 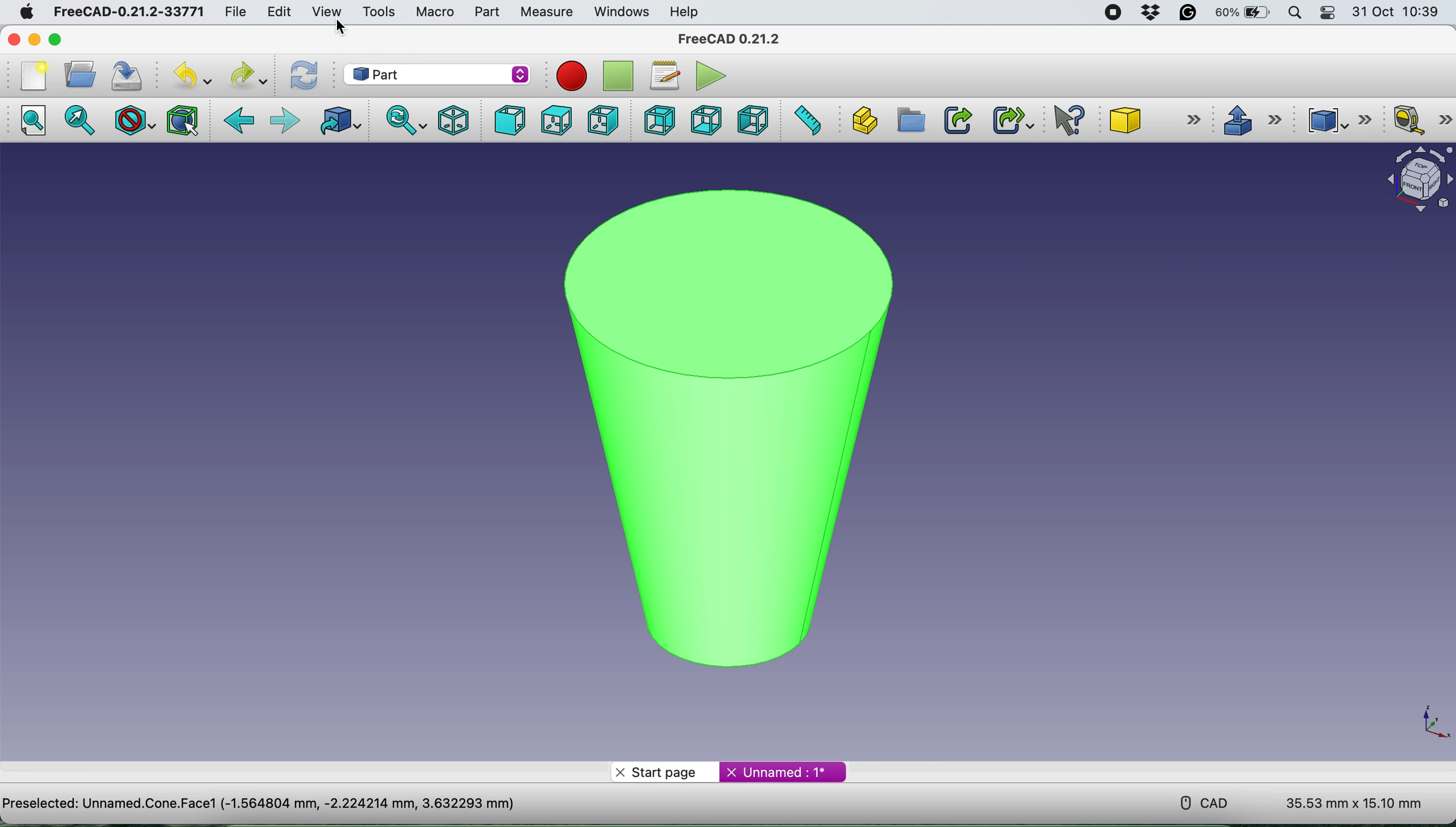 What do you see at coordinates (602, 119) in the screenshot?
I see `right` at bounding box center [602, 119].